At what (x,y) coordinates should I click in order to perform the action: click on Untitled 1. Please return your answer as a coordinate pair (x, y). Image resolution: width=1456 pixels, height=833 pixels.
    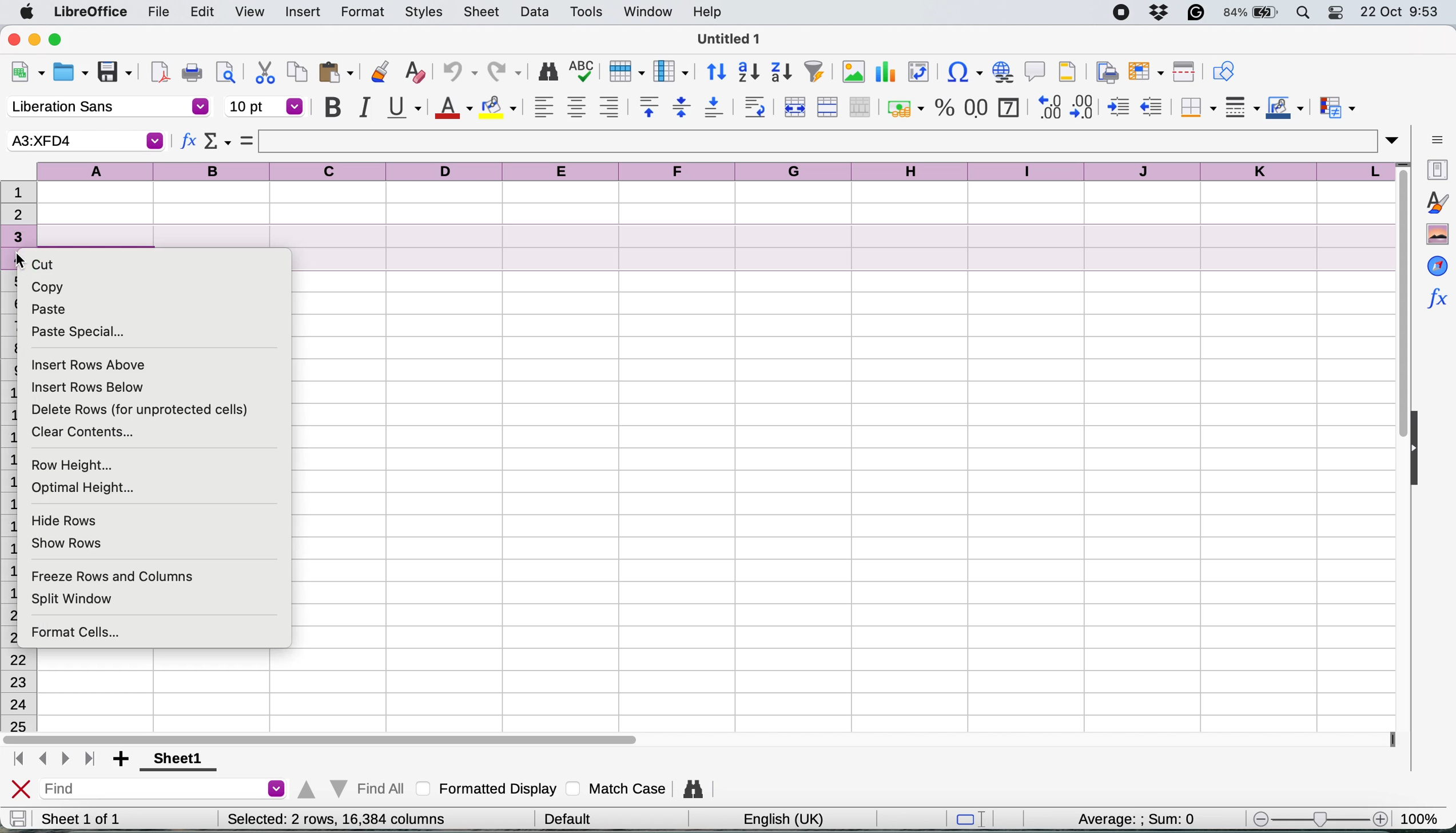
    Looking at the image, I should click on (726, 38).